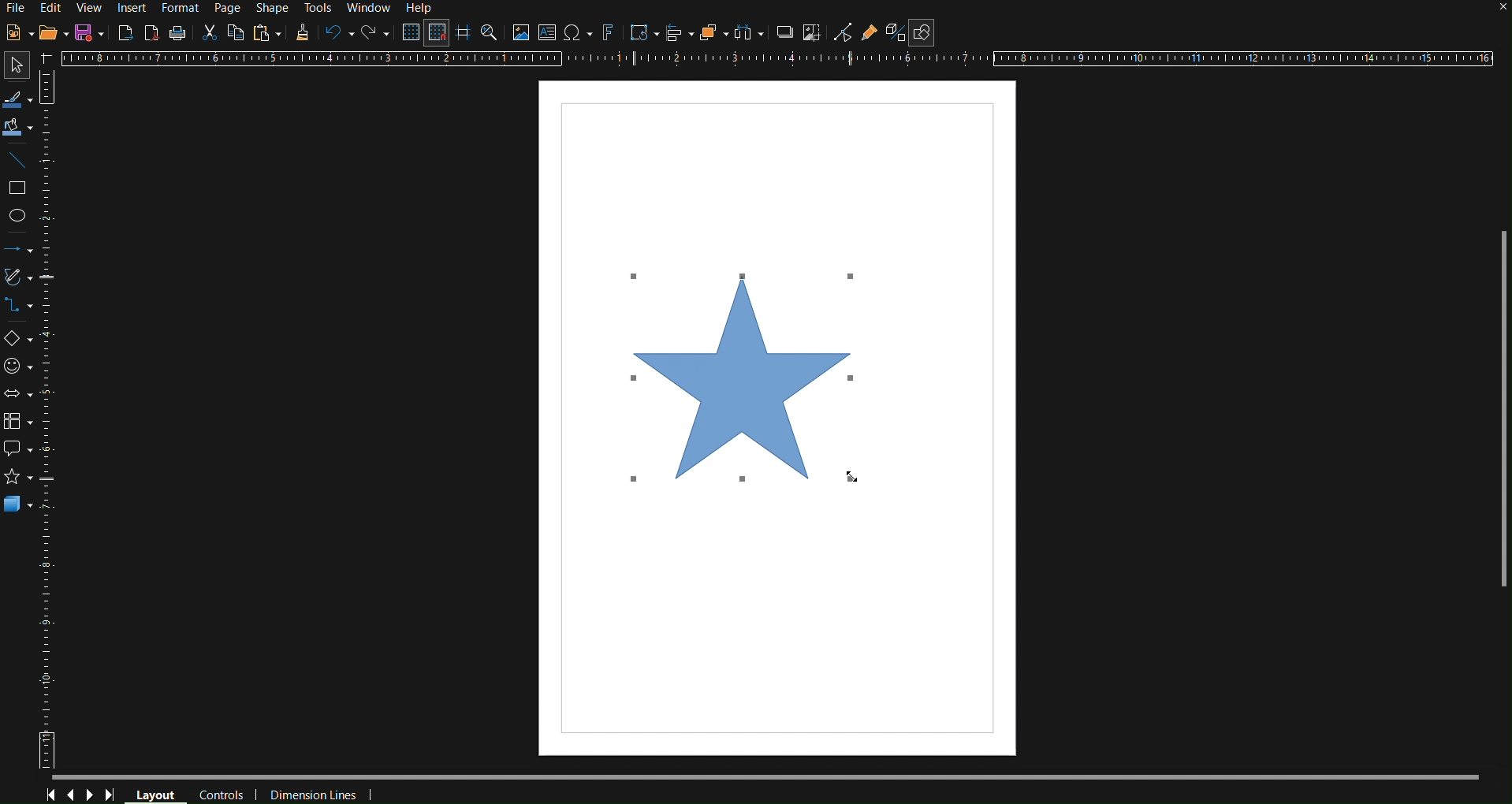 Image resolution: width=1512 pixels, height=804 pixels. I want to click on Dimension Lines, so click(311, 792).